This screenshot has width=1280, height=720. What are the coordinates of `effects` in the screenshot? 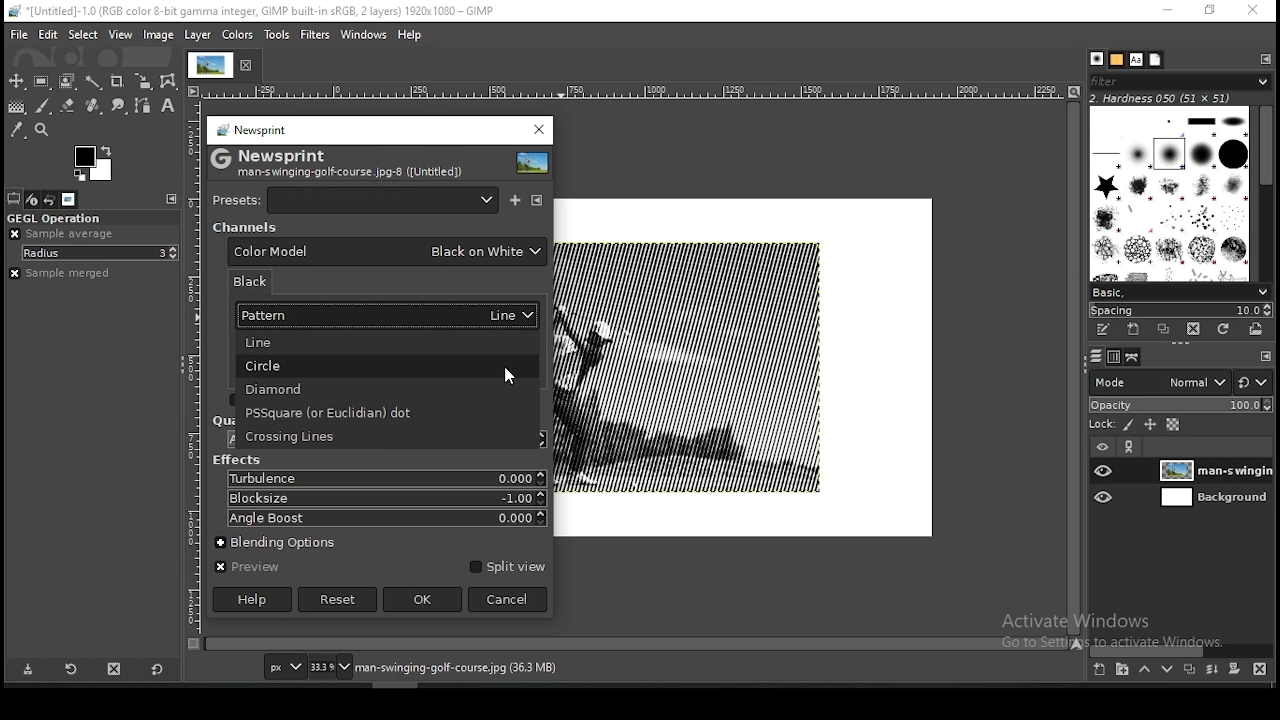 It's located at (237, 460).